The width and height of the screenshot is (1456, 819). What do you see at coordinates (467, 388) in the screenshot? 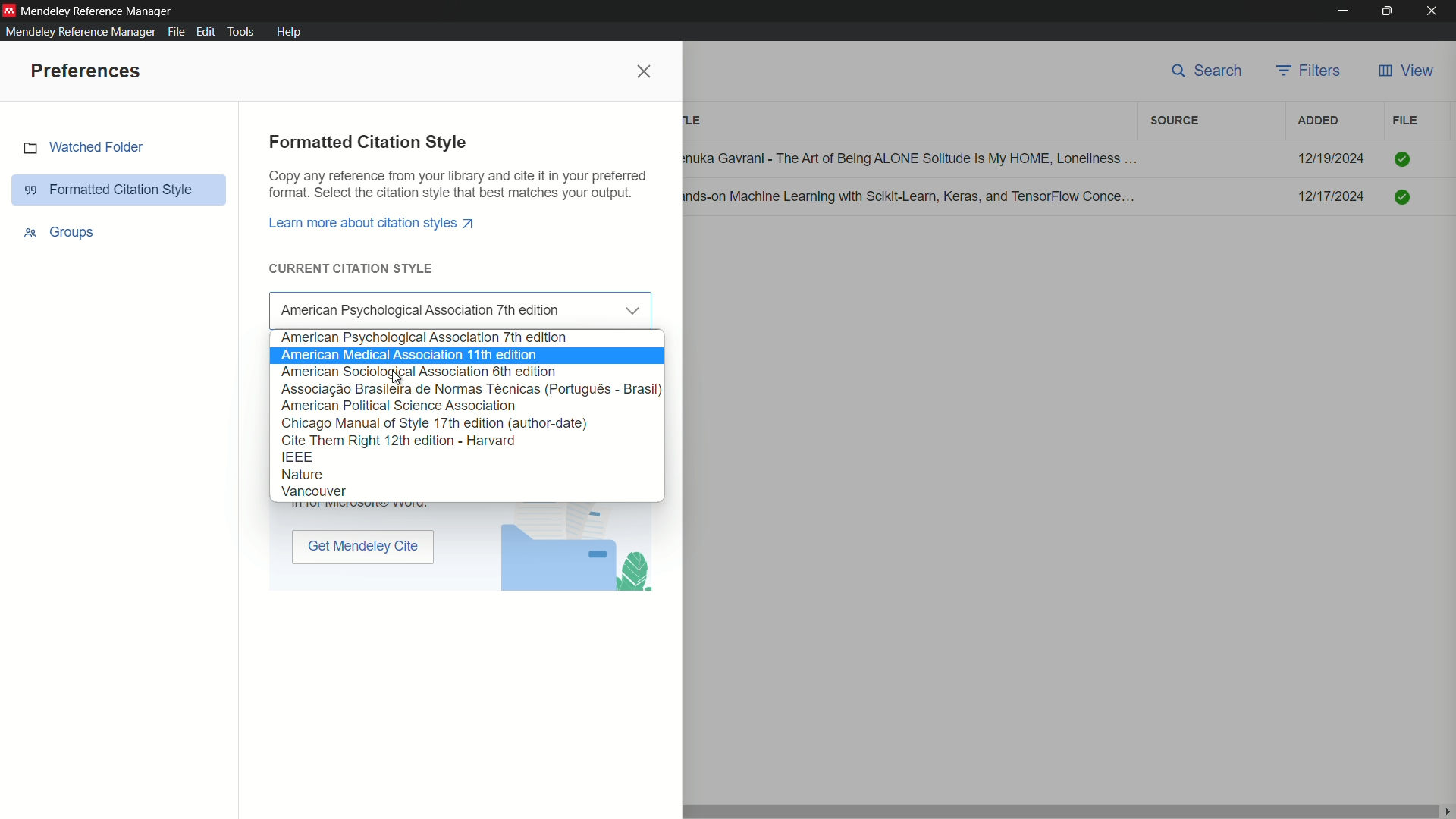
I see `Associação Brasil de Normas Tecnicas` at bounding box center [467, 388].